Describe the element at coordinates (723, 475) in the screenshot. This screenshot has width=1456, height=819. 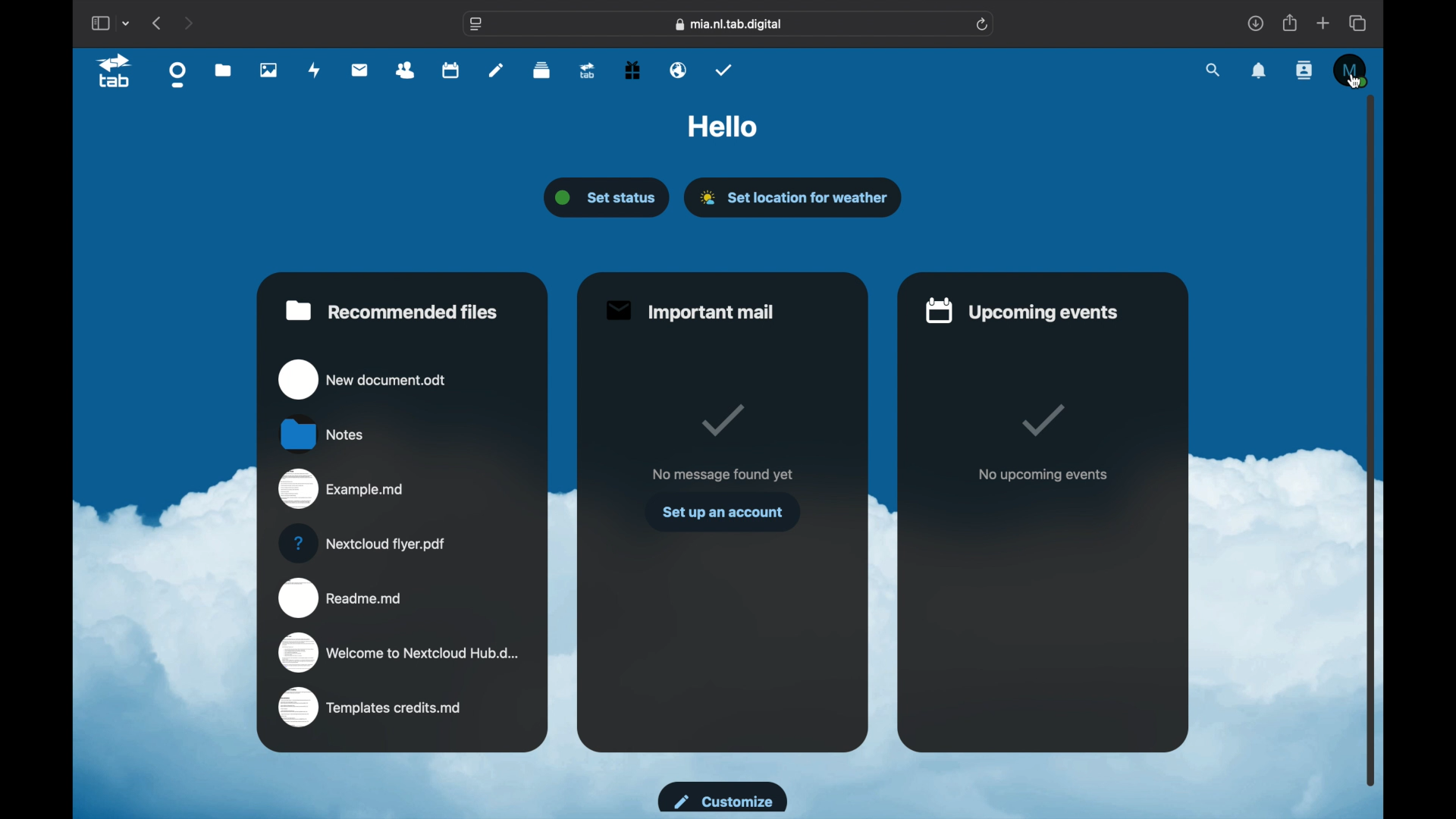
I see `no message found yet` at that location.